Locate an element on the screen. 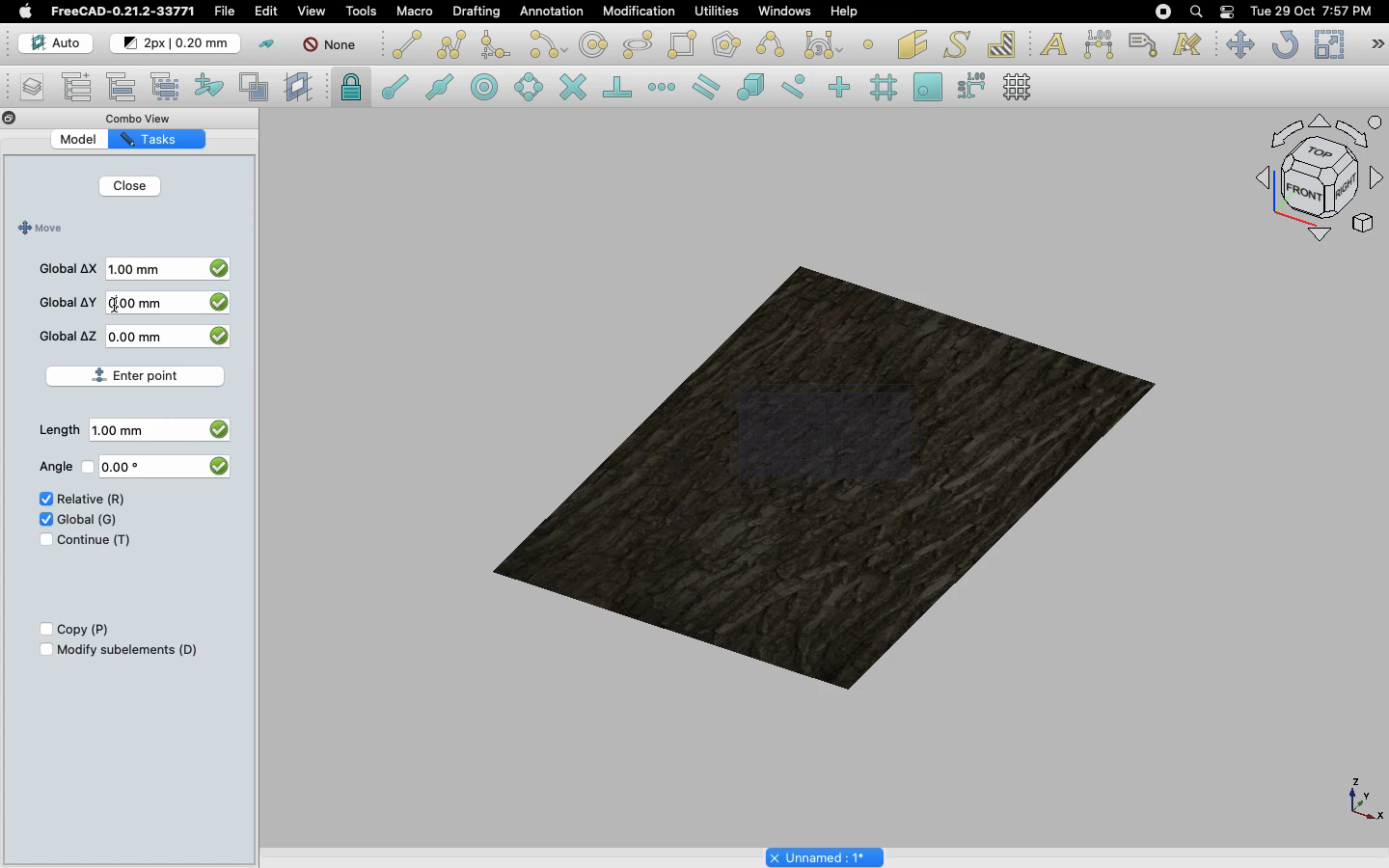 This screenshot has height=868, width=1389. Move is located at coordinates (38, 229).